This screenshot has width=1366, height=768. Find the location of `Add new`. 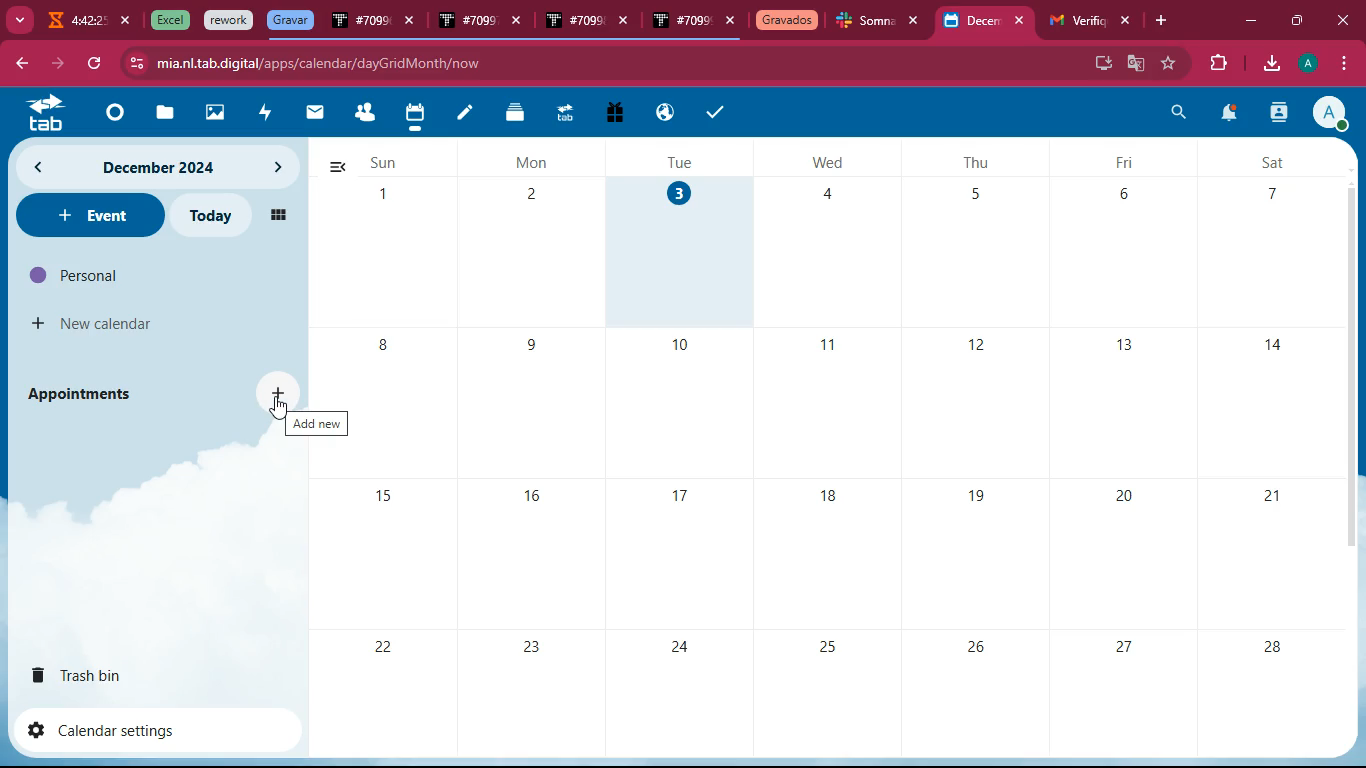

Add new is located at coordinates (319, 425).